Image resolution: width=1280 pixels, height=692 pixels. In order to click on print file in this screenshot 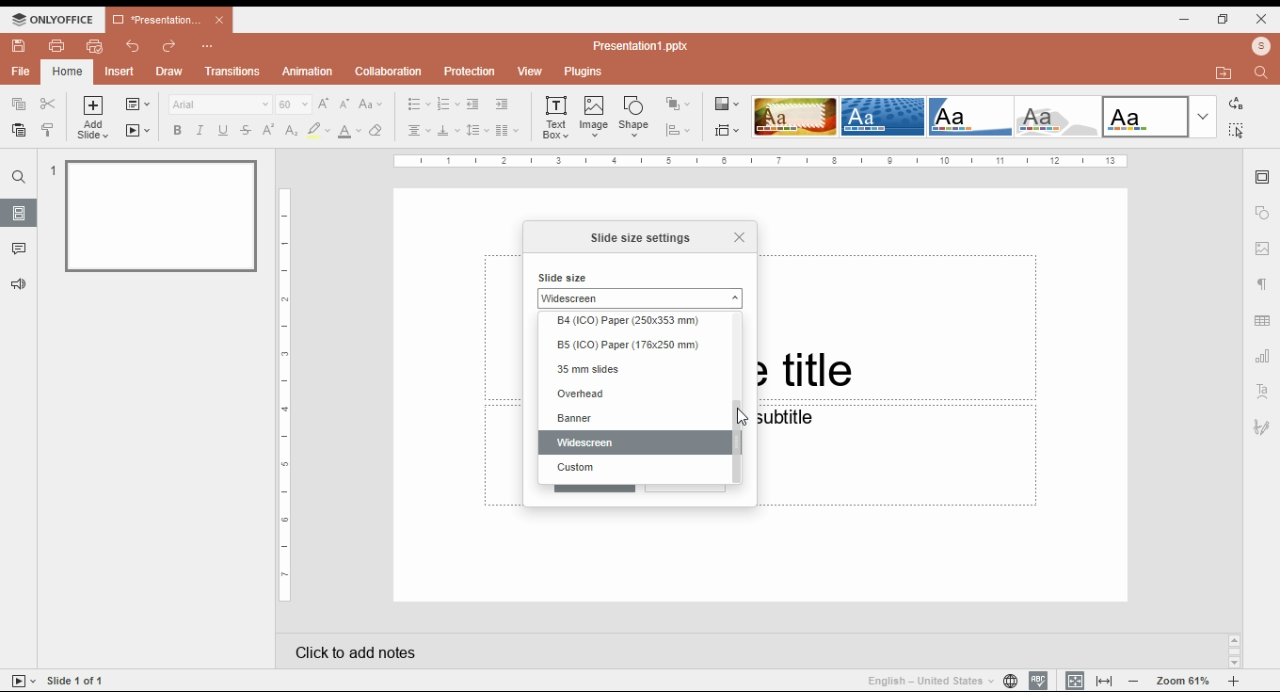, I will do `click(57, 46)`.